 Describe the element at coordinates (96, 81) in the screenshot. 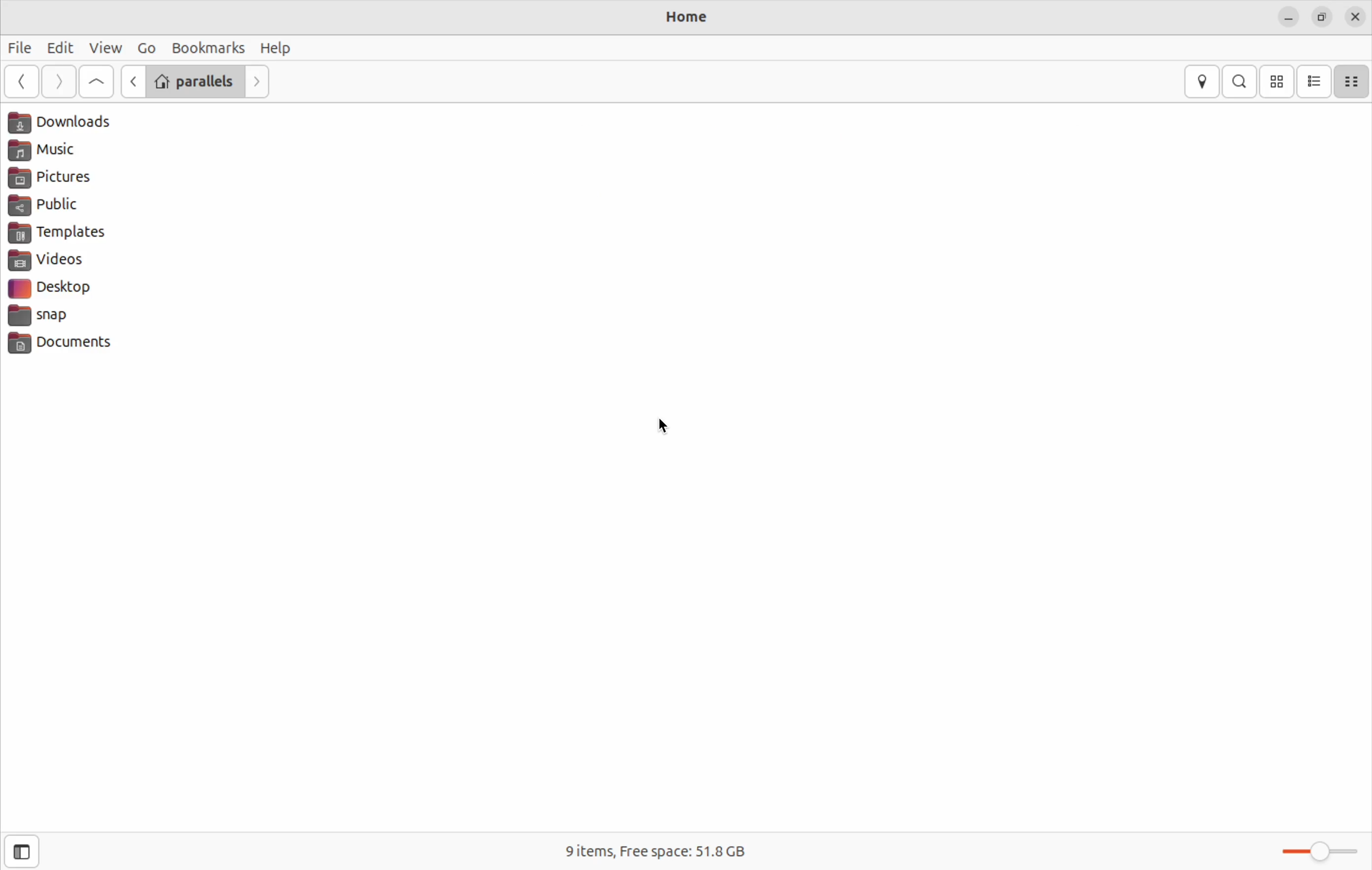

I see `Go to first` at that location.